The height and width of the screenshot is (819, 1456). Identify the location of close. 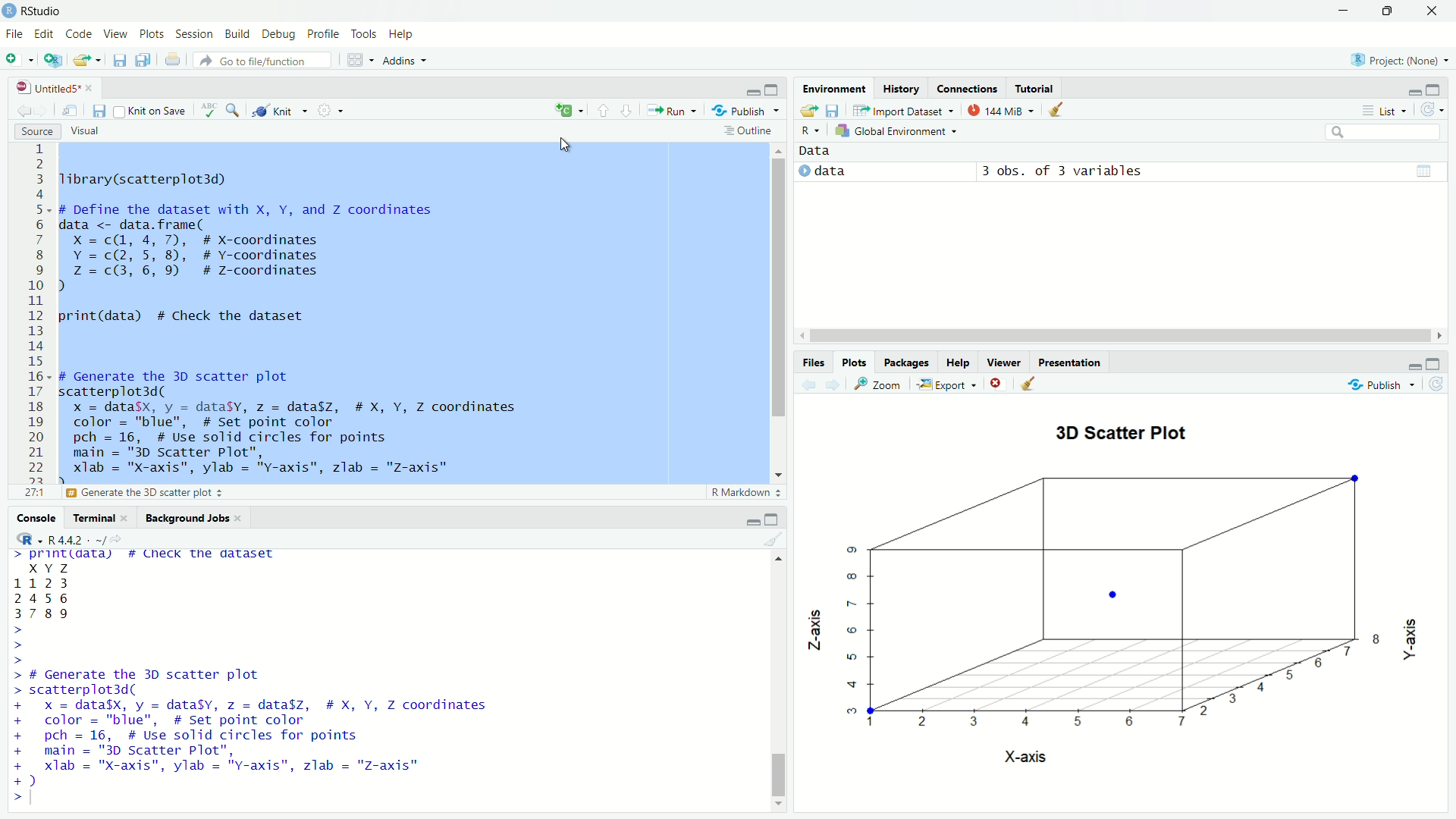
(127, 519).